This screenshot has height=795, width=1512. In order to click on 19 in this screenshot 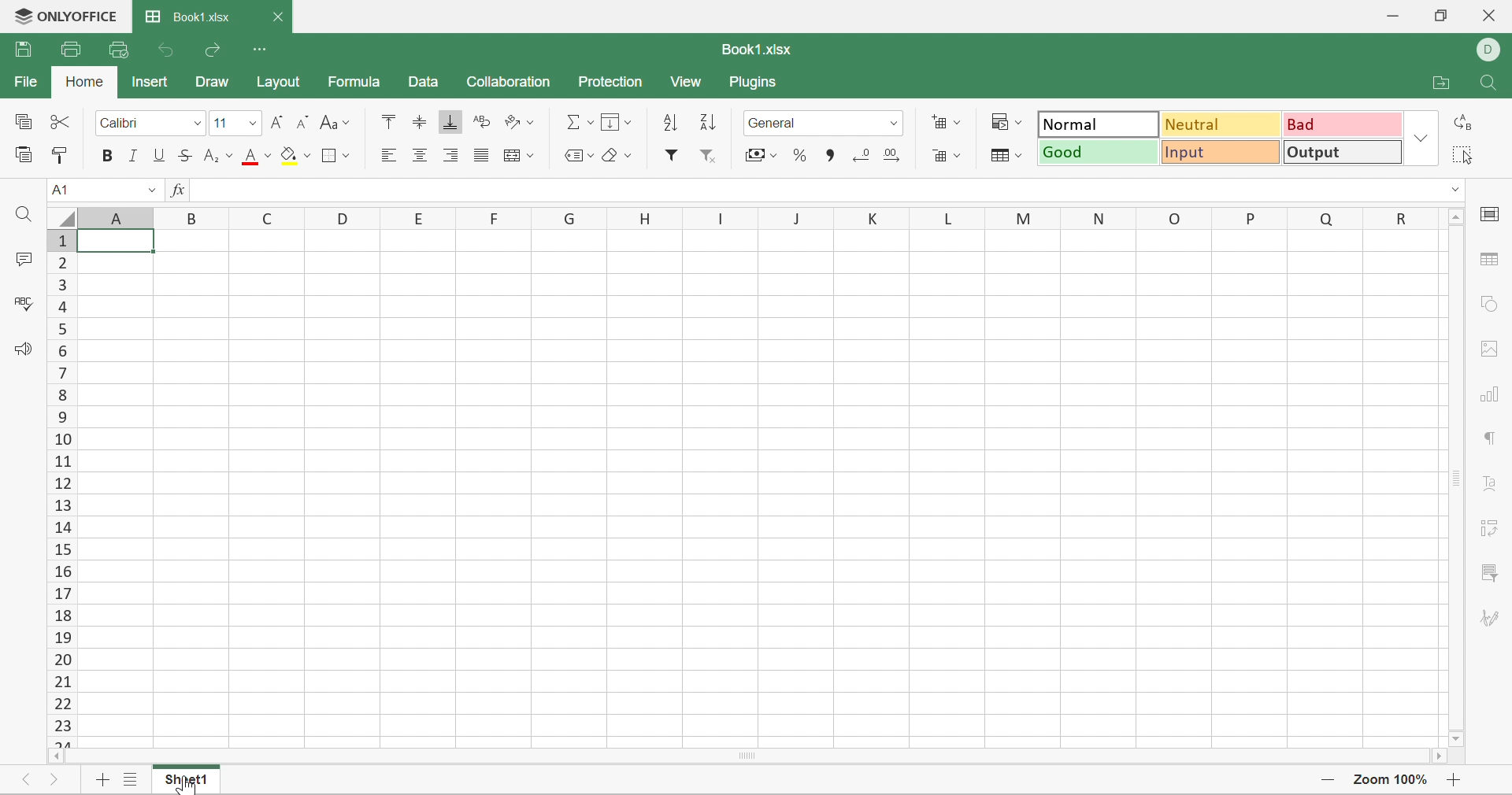, I will do `click(62, 635)`.